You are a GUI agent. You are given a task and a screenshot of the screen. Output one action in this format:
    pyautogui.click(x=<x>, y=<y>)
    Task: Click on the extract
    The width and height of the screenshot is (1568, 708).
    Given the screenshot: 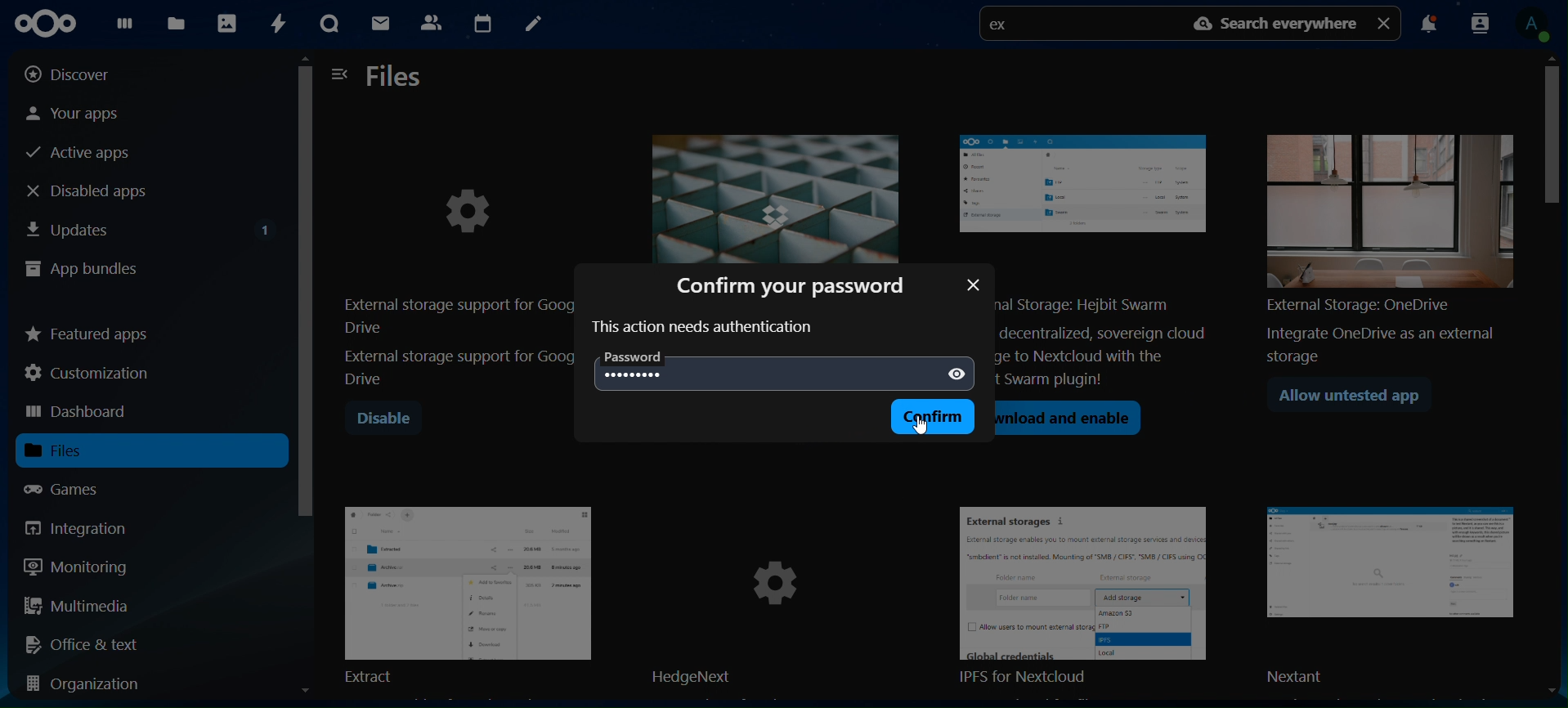 What is the action you would take?
    pyautogui.click(x=468, y=593)
    